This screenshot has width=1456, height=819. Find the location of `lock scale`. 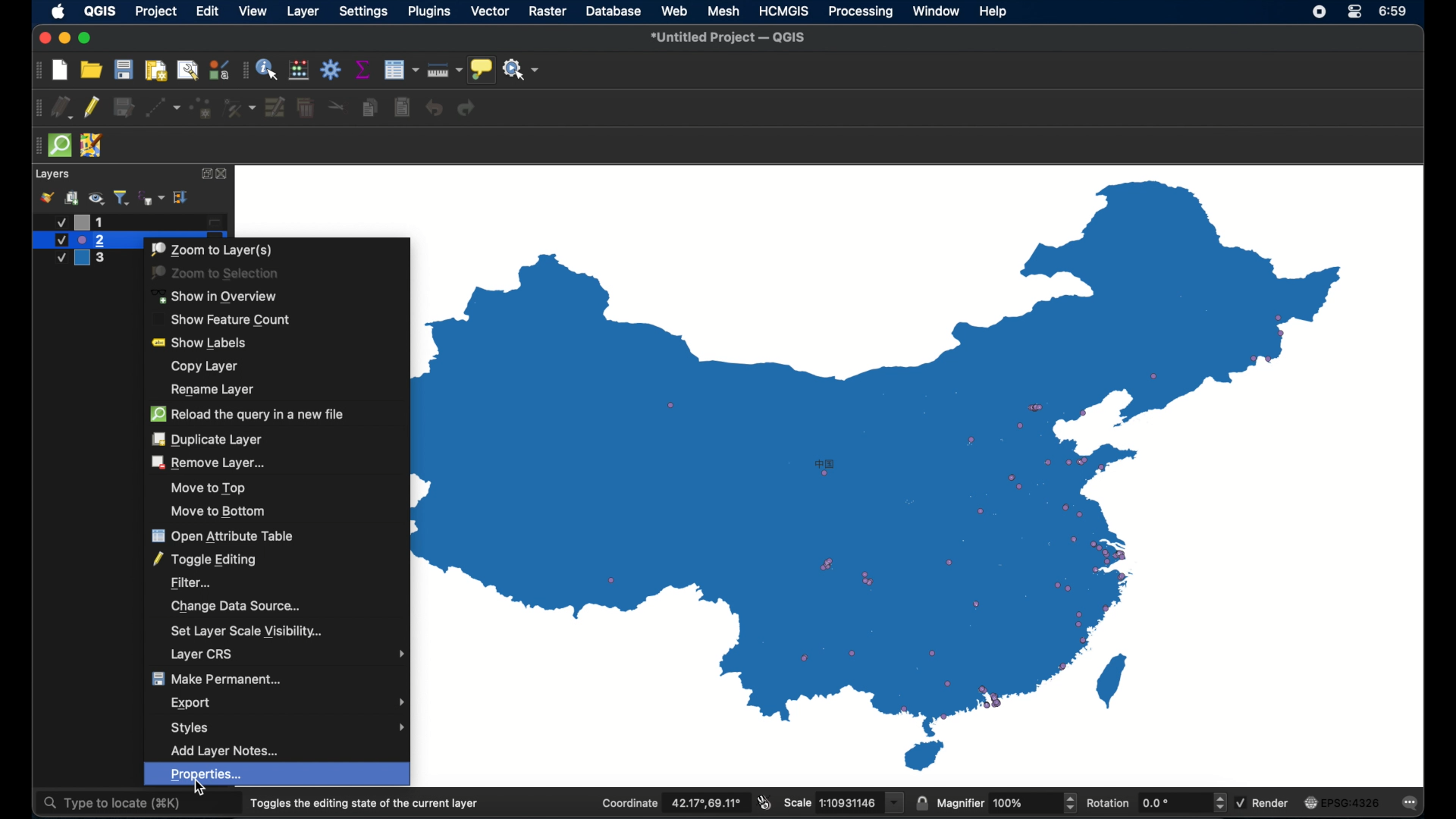

lock scale is located at coordinates (921, 803).